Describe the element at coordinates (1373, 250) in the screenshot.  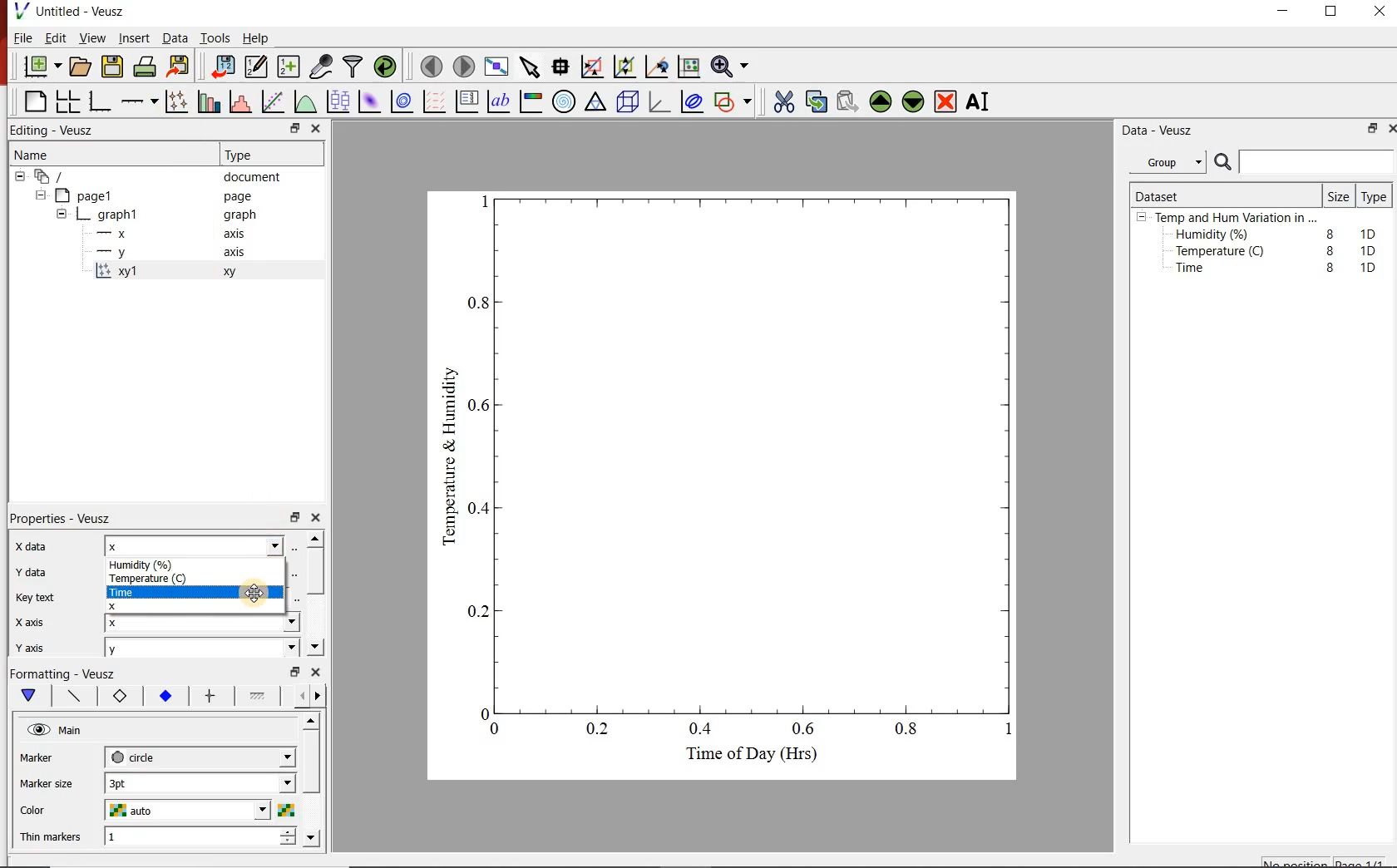
I see `1D` at that location.